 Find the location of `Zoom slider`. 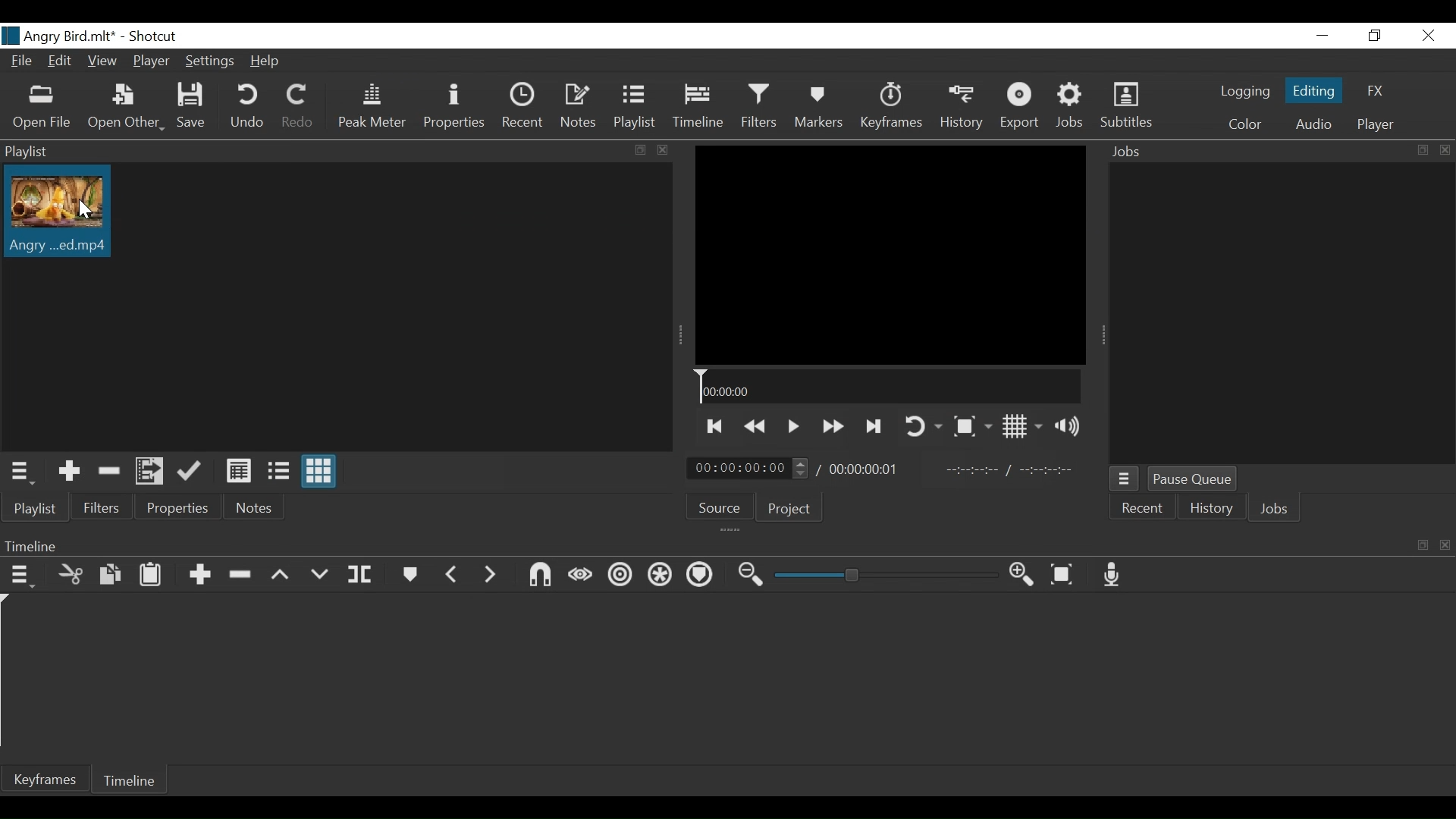

Zoom slider is located at coordinates (886, 575).